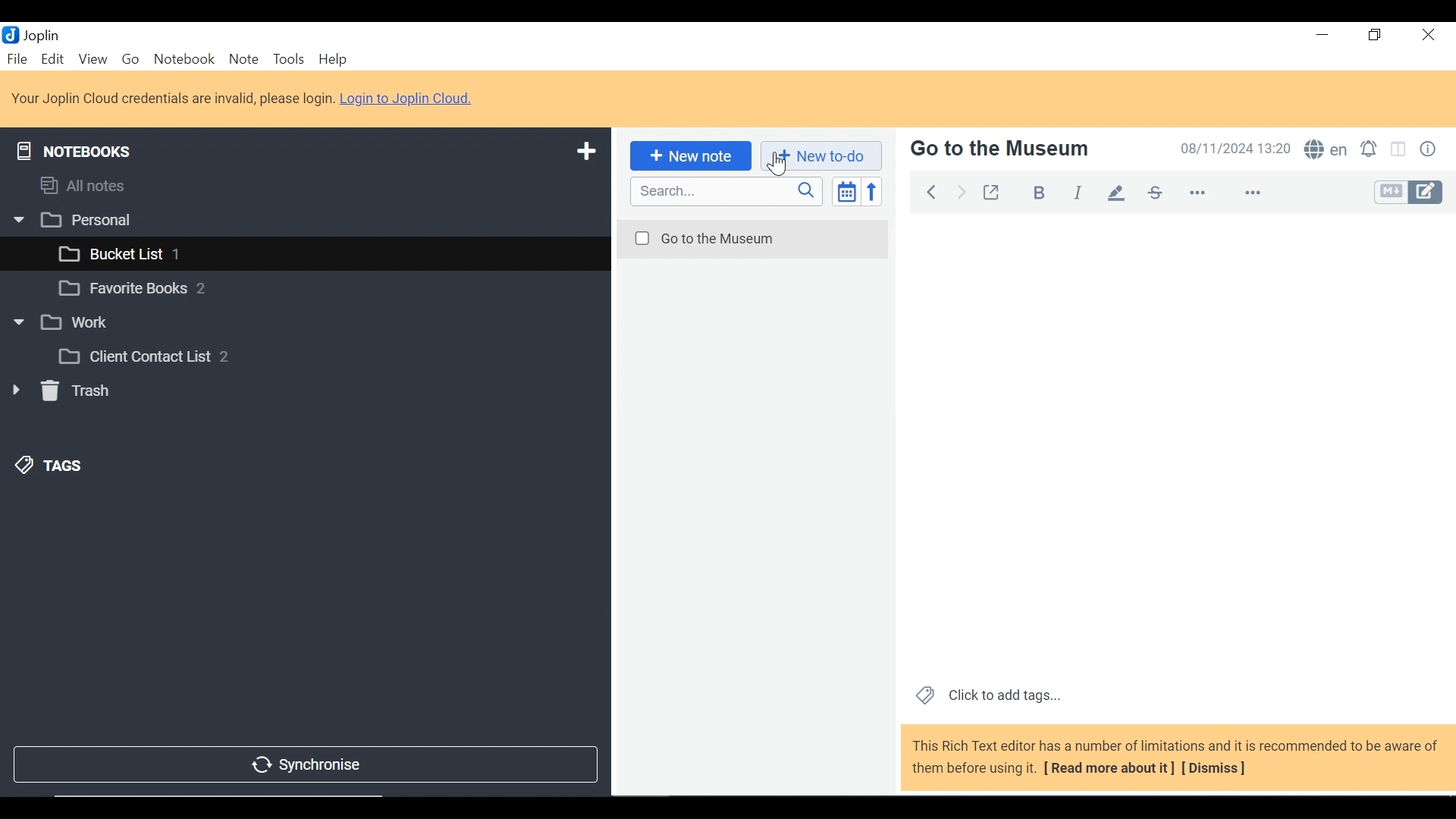 The height and width of the screenshot is (819, 1456). I want to click on Notebook, so click(306, 322).